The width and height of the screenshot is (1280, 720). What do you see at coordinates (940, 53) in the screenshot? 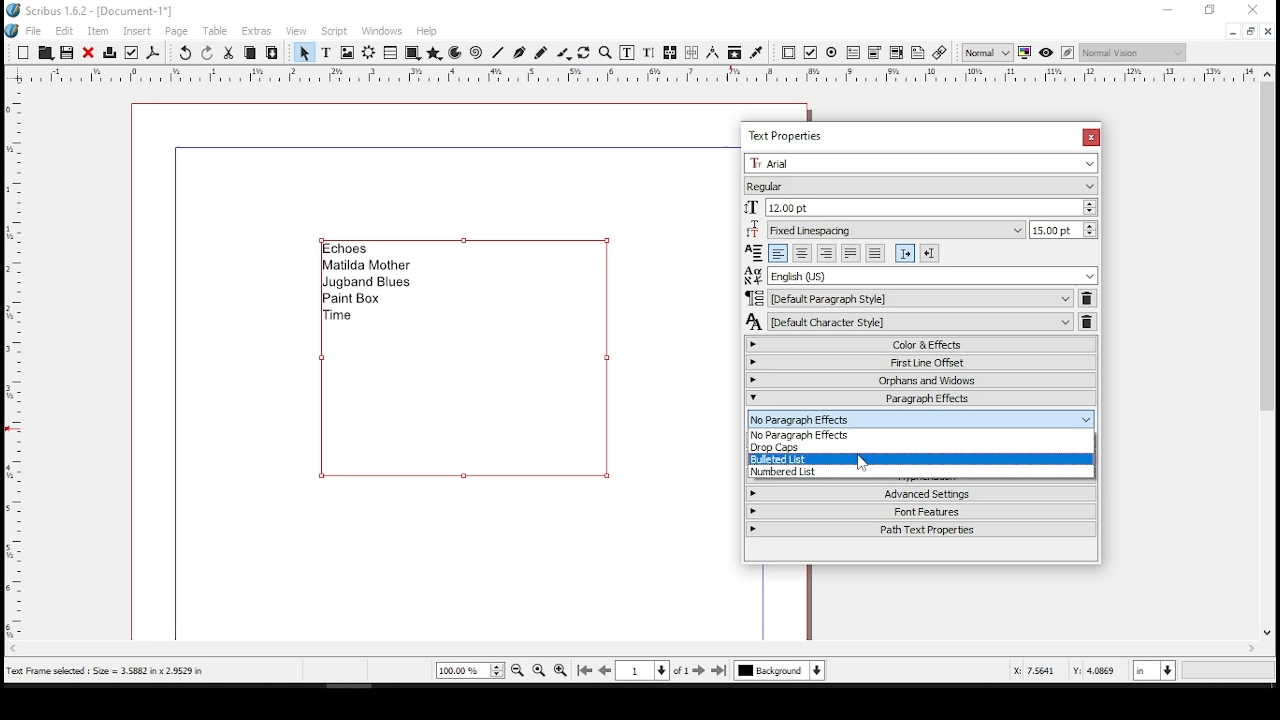
I see `link annotation` at bounding box center [940, 53].